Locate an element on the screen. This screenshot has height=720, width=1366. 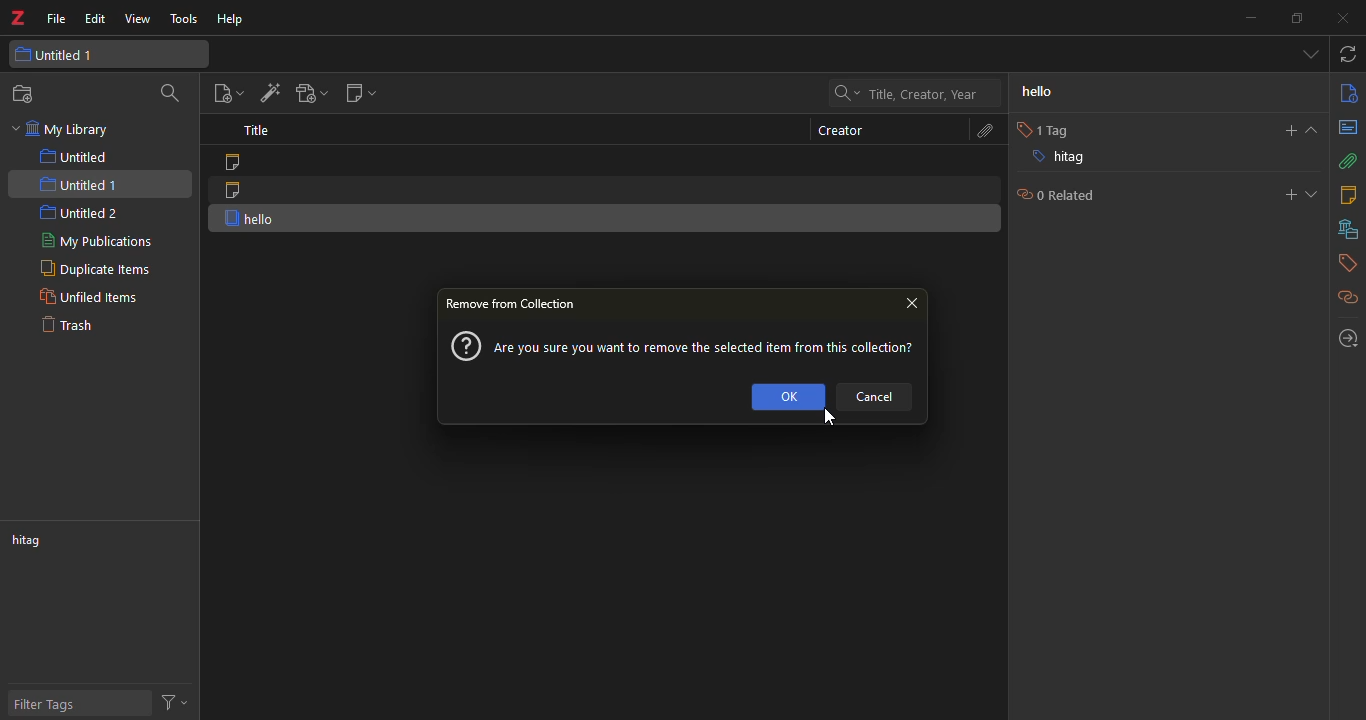
info is located at coordinates (1344, 93).